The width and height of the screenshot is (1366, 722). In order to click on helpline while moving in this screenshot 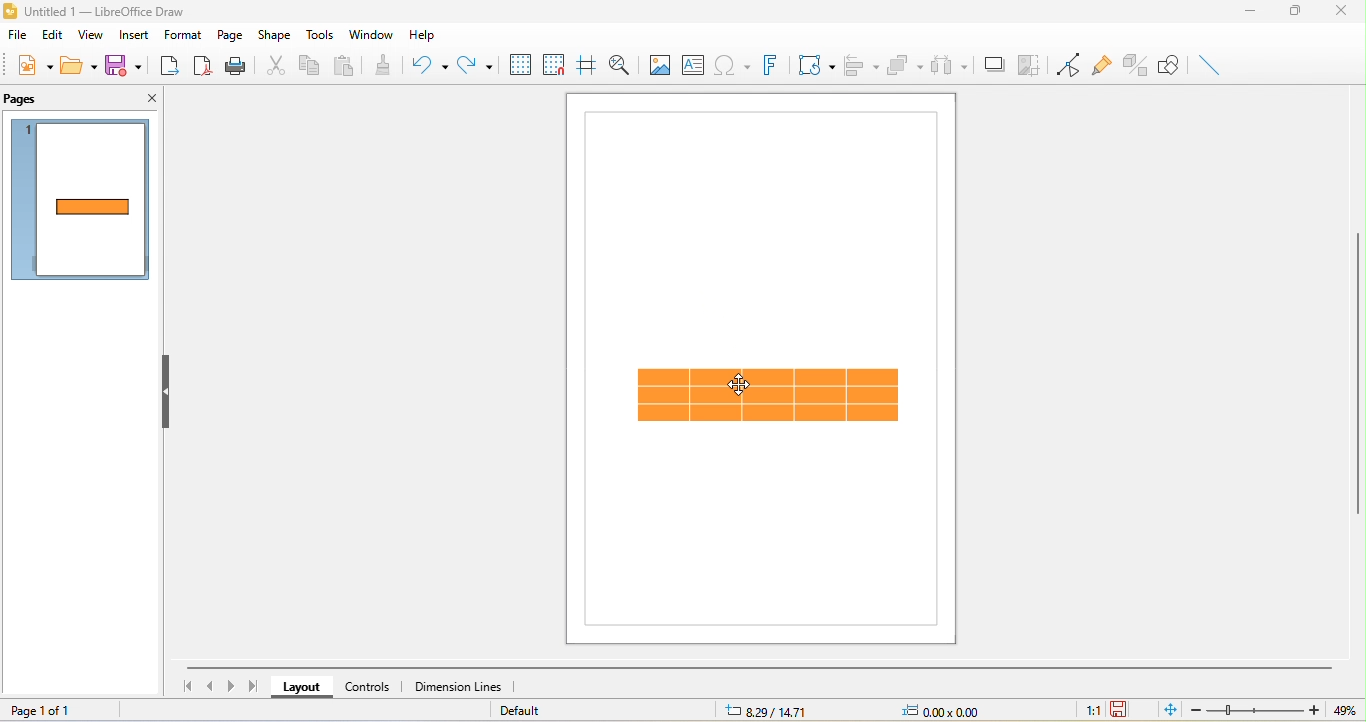, I will do `click(587, 65)`.